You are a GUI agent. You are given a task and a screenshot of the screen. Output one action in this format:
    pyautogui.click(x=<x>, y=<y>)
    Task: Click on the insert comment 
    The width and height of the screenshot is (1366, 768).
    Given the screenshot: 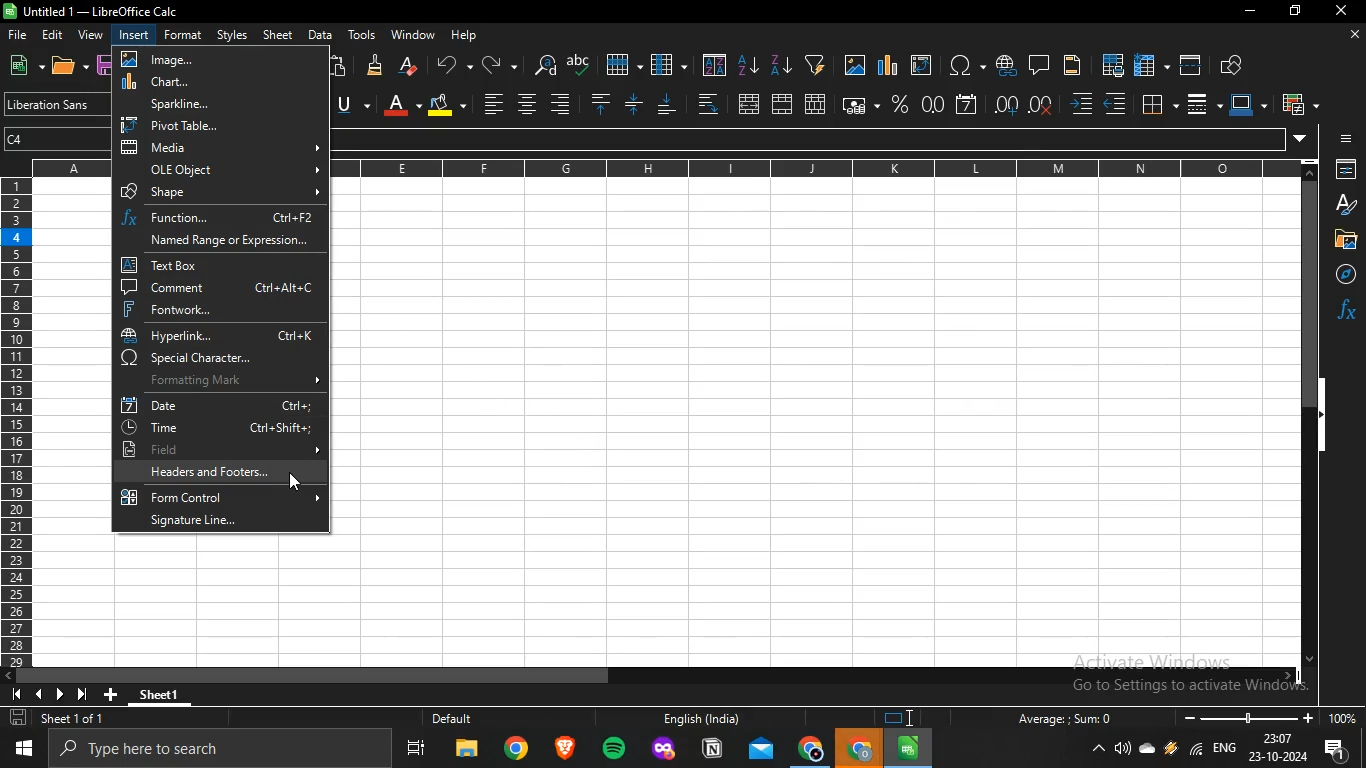 What is the action you would take?
    pyautogui.click(x=1039, y=63)
    